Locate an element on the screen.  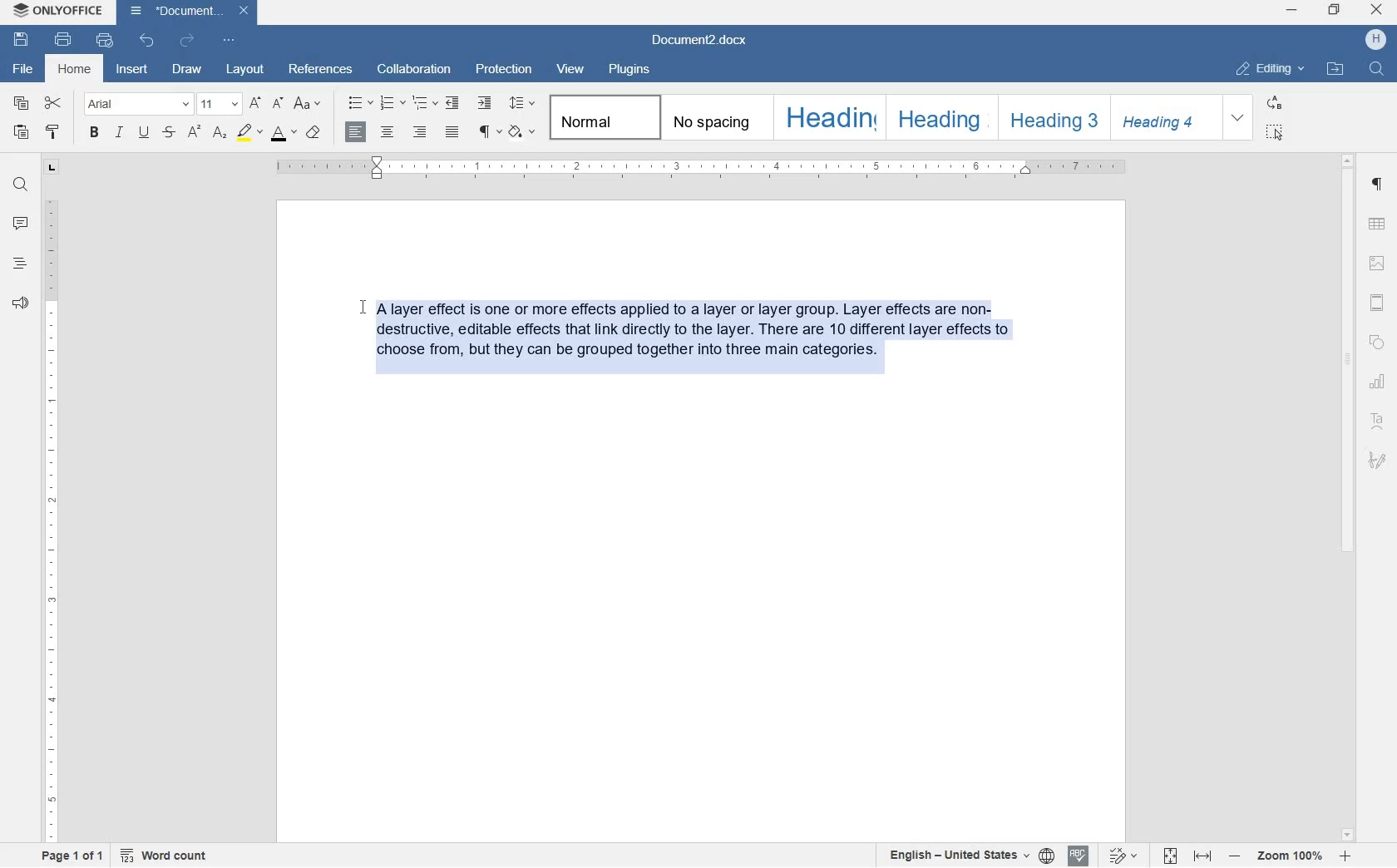
restore is located at coordinates (1337, 9).